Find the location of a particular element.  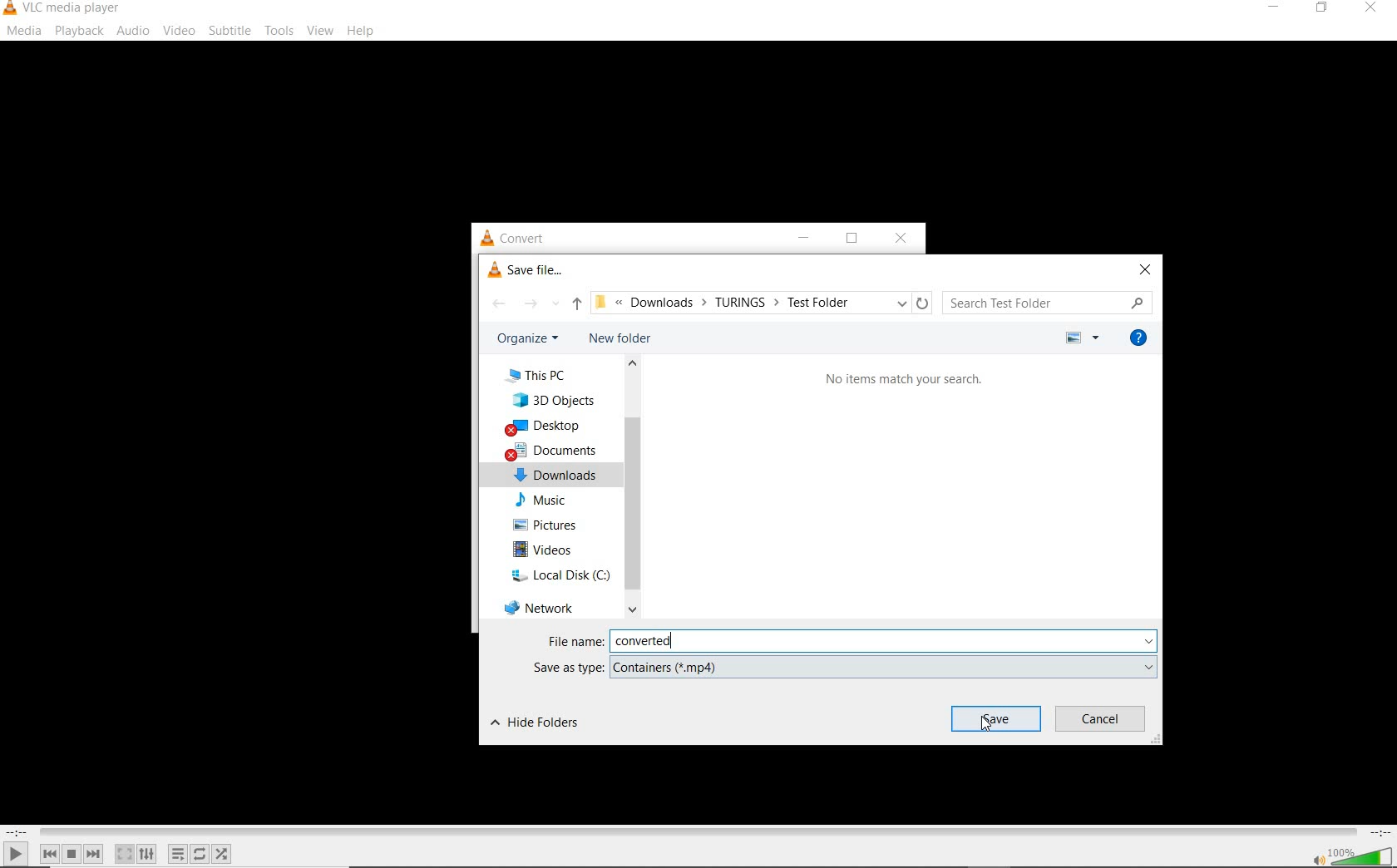

view is located at coordinates (321, 31).